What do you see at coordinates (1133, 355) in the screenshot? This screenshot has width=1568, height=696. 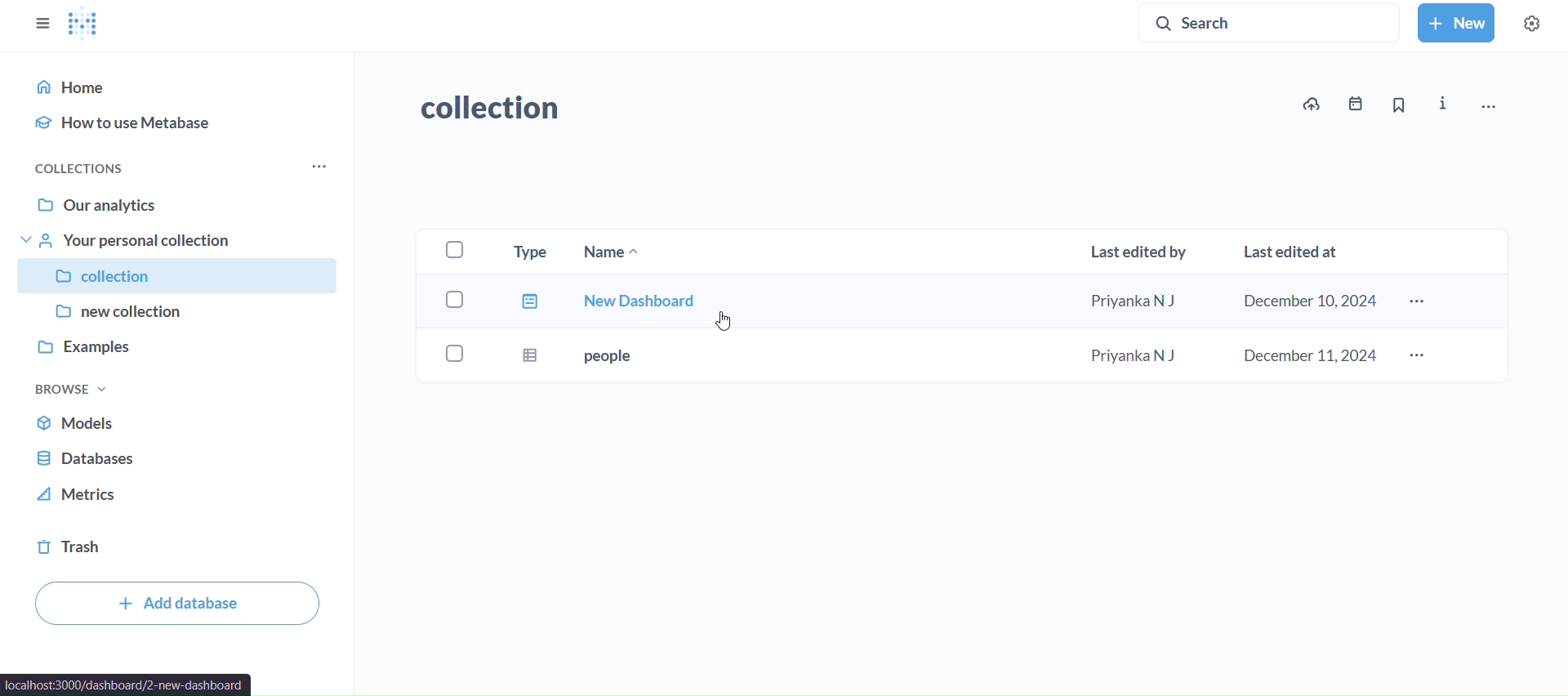 I see `Priyanka N J` at bounding box center [1133, 355].